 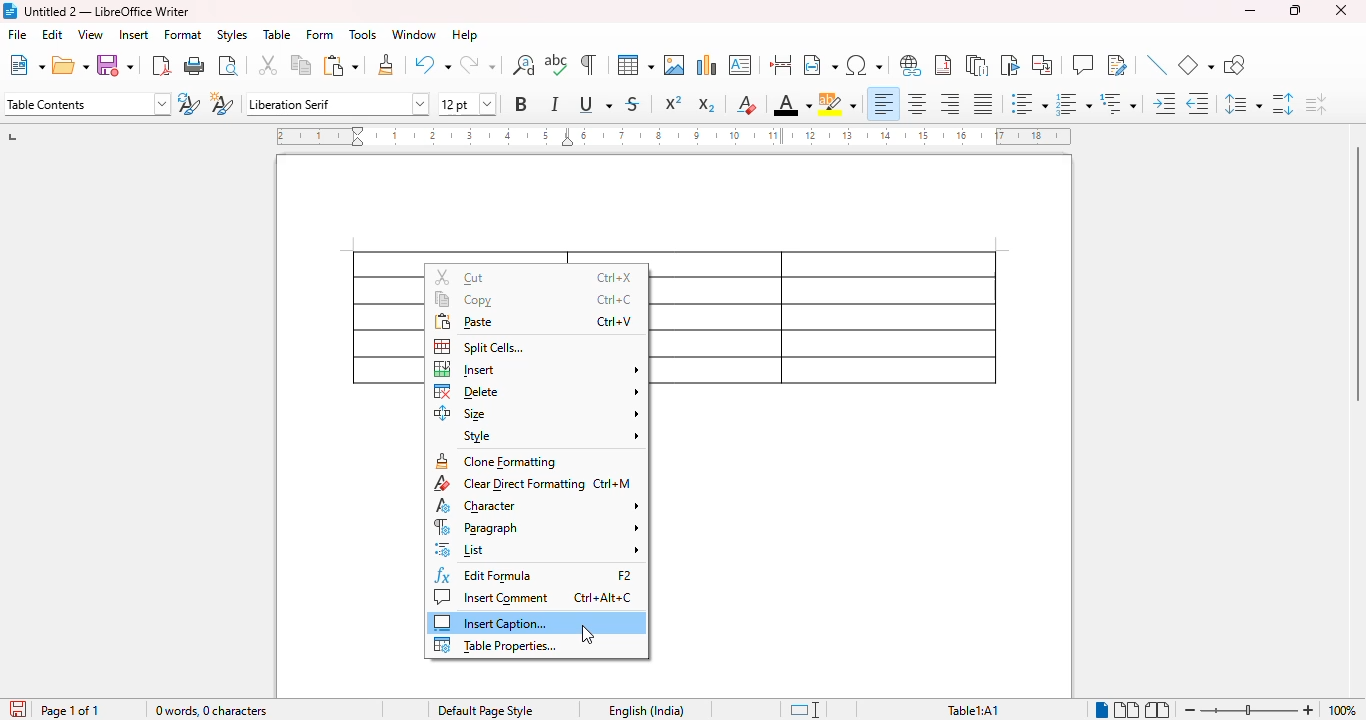 What do you see at coordinates (1315, 104) in the screenshot?
I see `decrease paragraph spacing` at bounding box center [1315, 104].